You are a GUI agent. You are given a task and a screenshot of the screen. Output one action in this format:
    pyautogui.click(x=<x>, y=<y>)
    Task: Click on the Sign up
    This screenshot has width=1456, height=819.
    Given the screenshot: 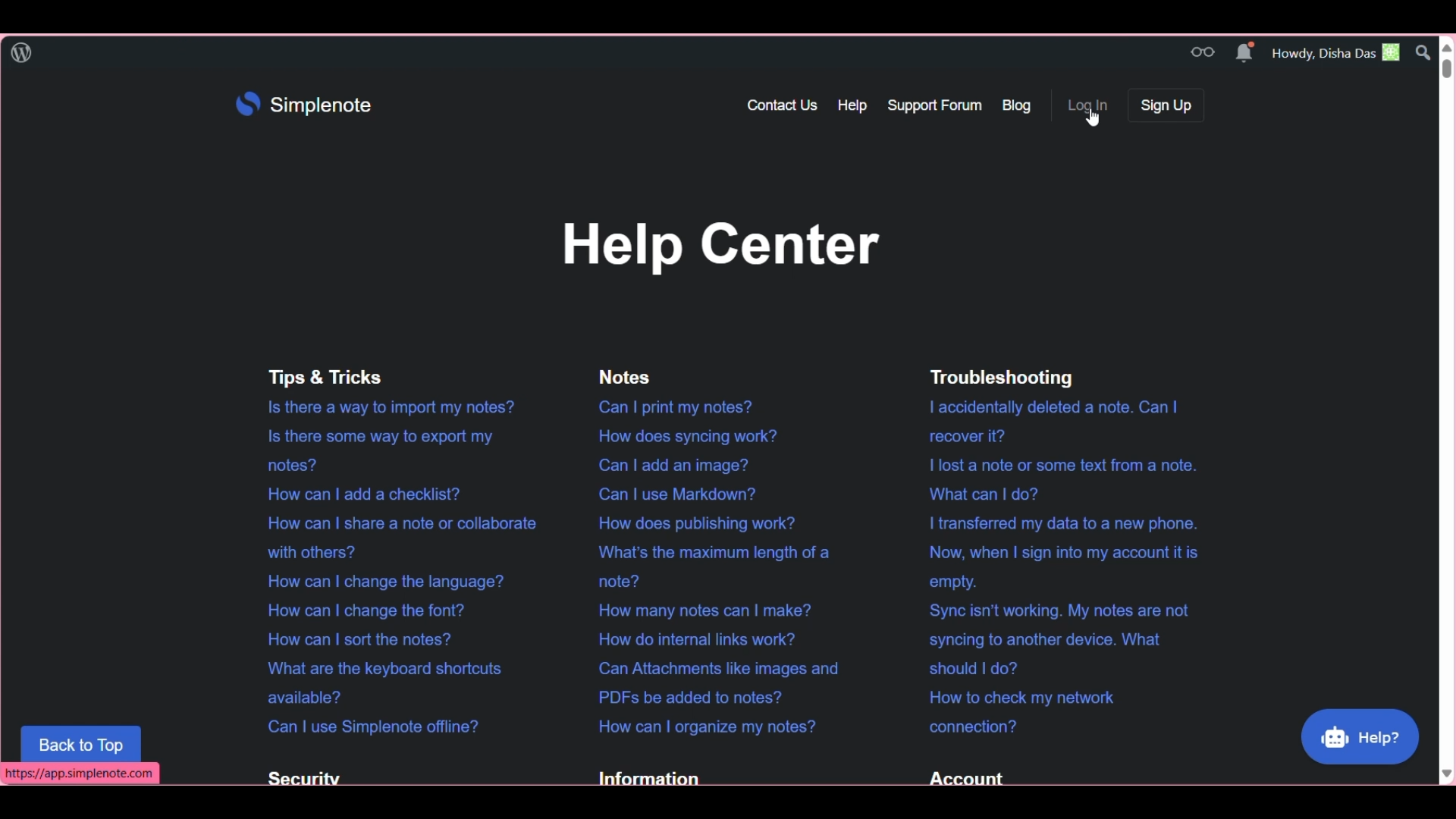 What is the action you would take?
    pyautogui.click(x=1165, y=105)
    